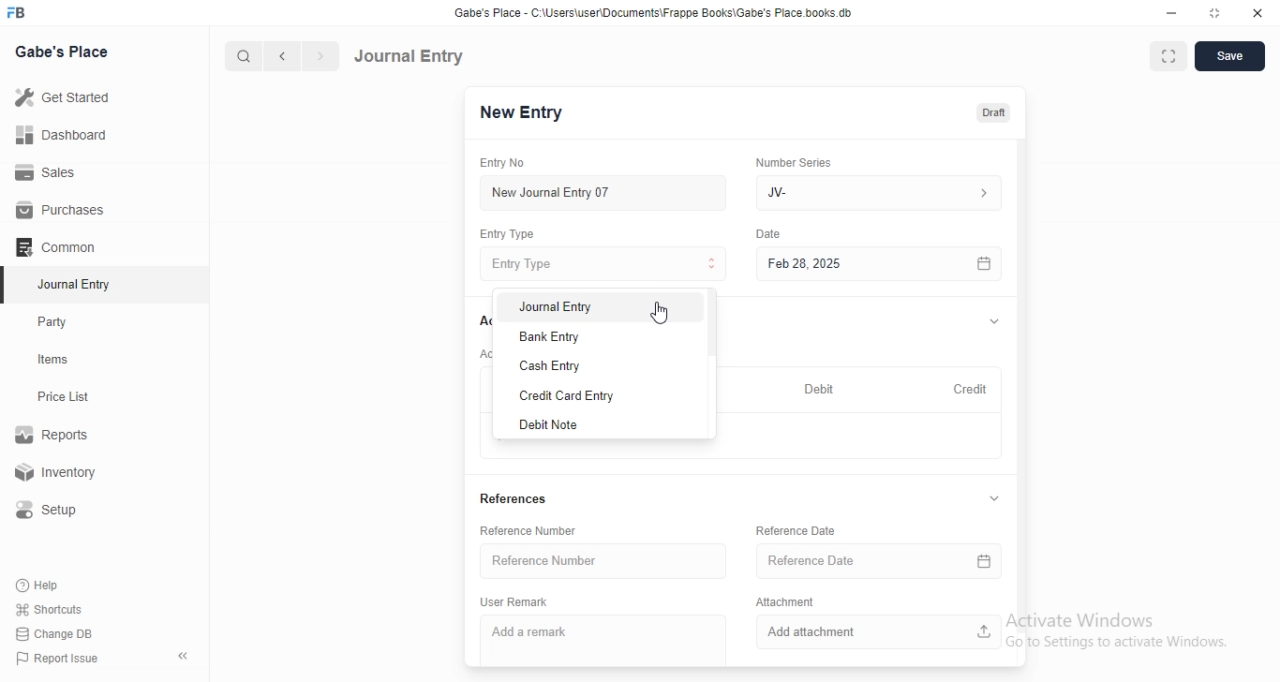 The width and height of the screenshot is (1280, 682). I want to click on ‘Change DB, so click(55, 634).